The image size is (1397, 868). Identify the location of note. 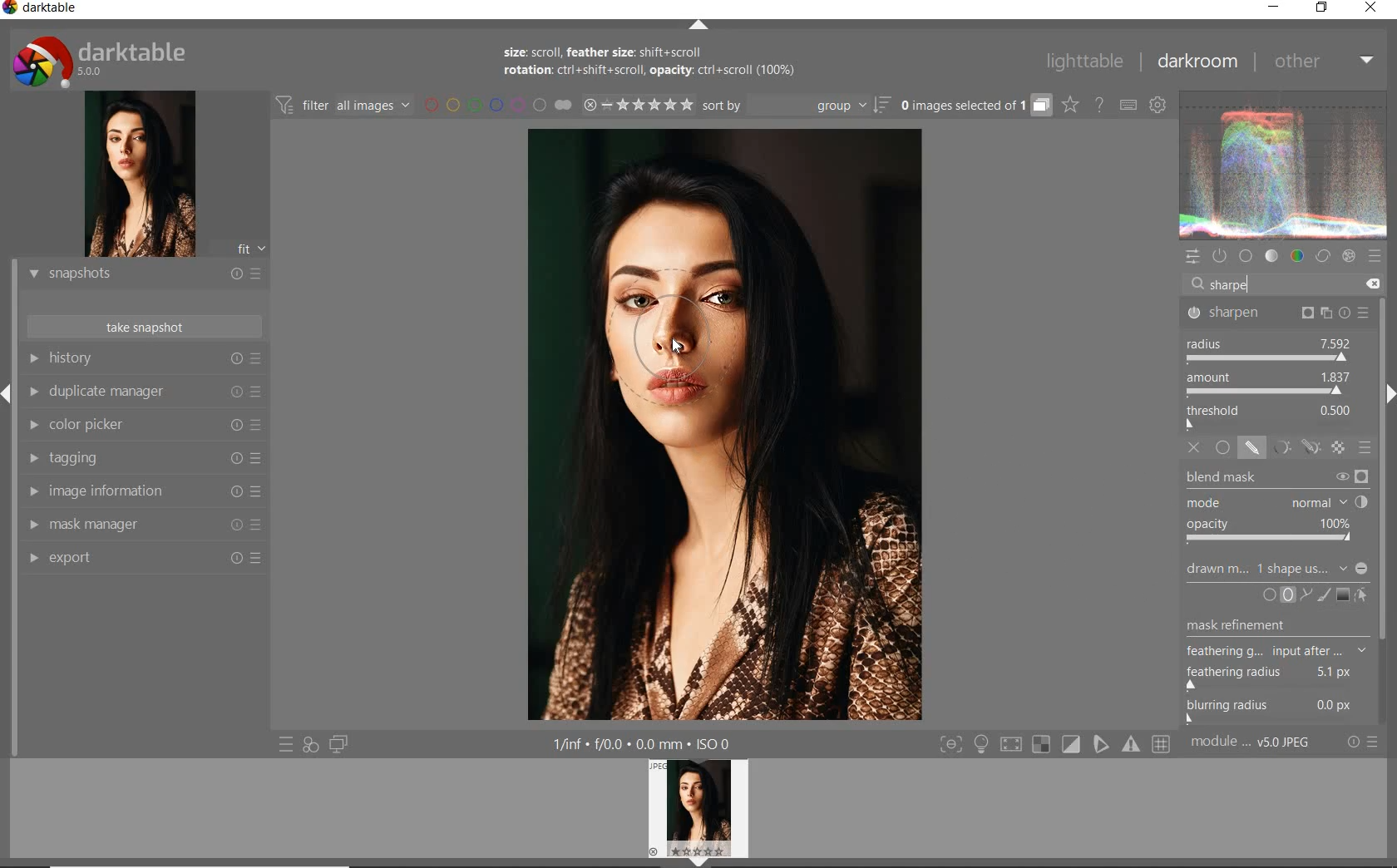
(645, 63).